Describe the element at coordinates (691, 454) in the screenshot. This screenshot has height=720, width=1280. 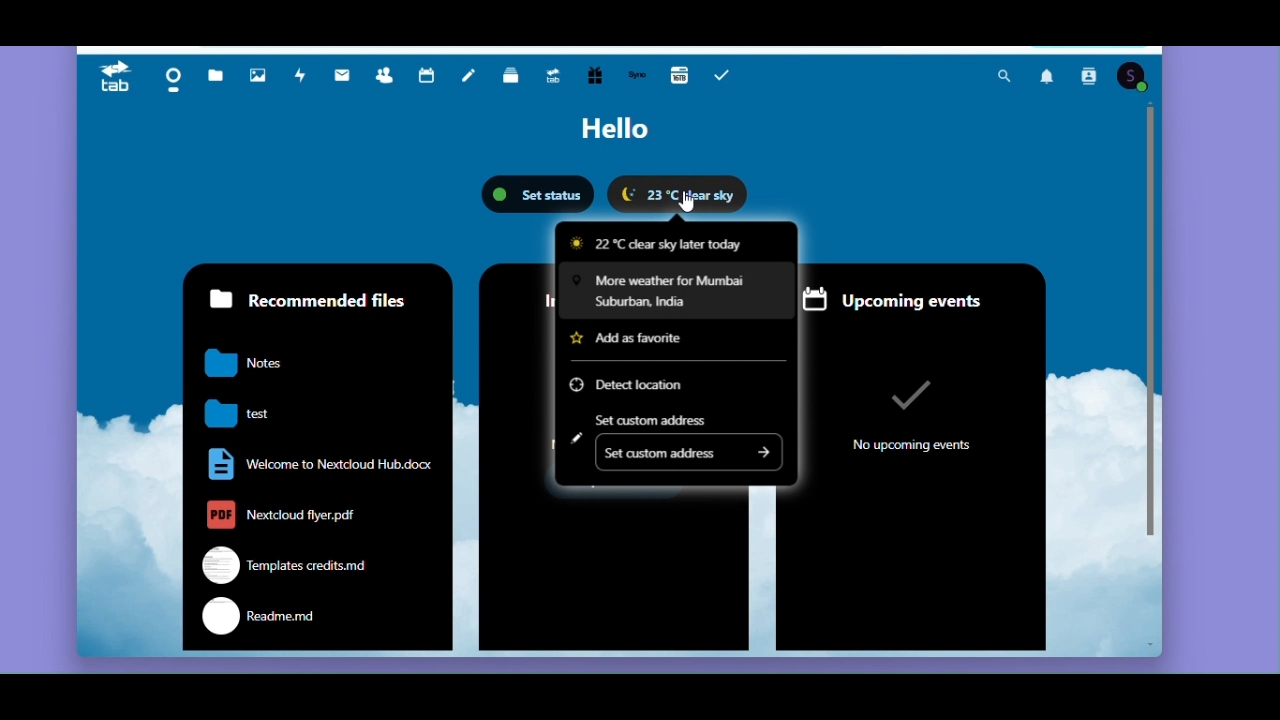
I see `Set custom address` at that location.